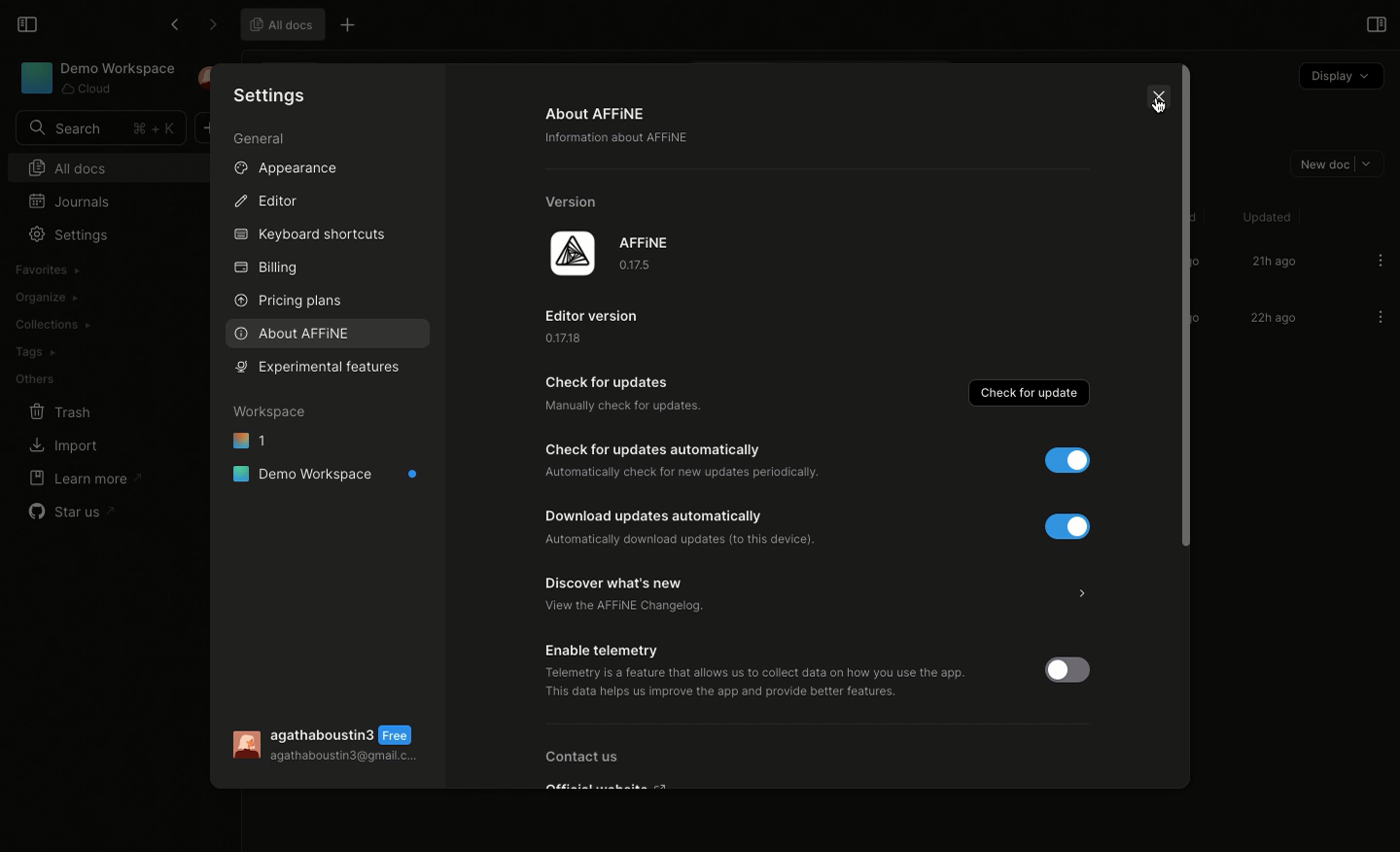 This screenshot has width=1400, height=852. Describe the element at coordinates (690, 461) in the screenshot. I see `Check for updates automatically` at that location.